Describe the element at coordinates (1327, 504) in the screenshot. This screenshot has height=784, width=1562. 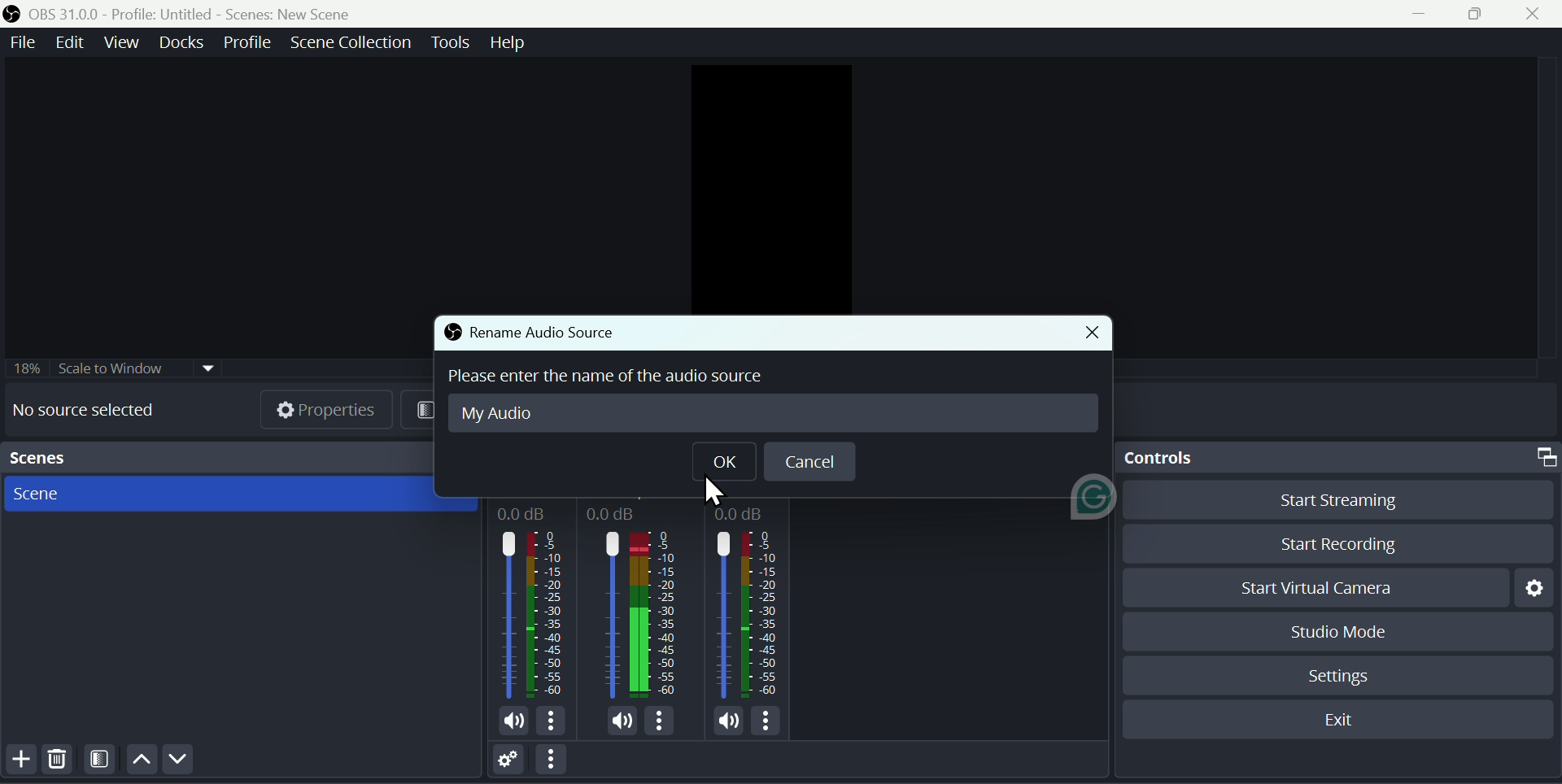
I see `Start streaming` at that location.